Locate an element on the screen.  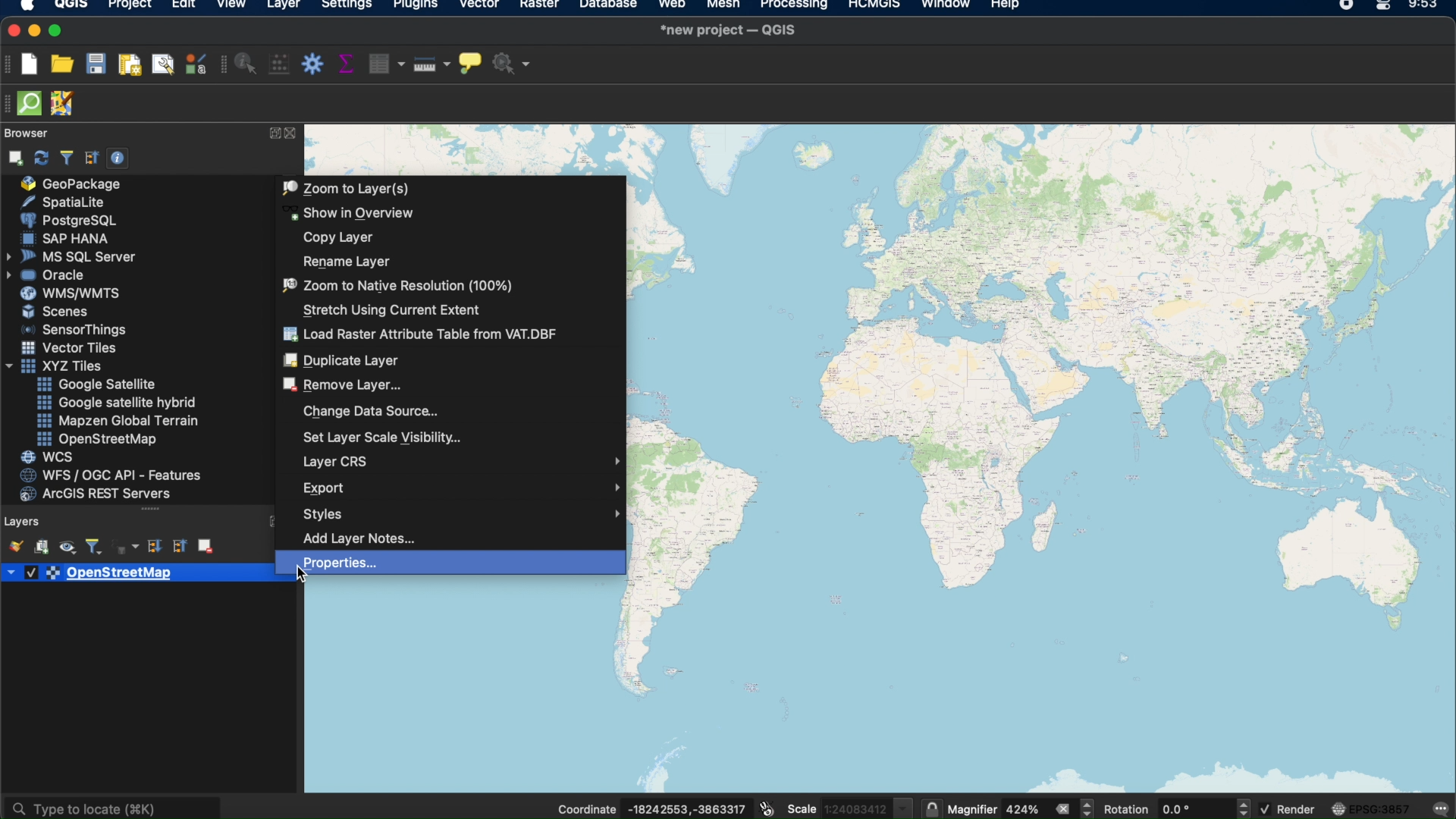
project toolbar is located at coordinates (11, 67).